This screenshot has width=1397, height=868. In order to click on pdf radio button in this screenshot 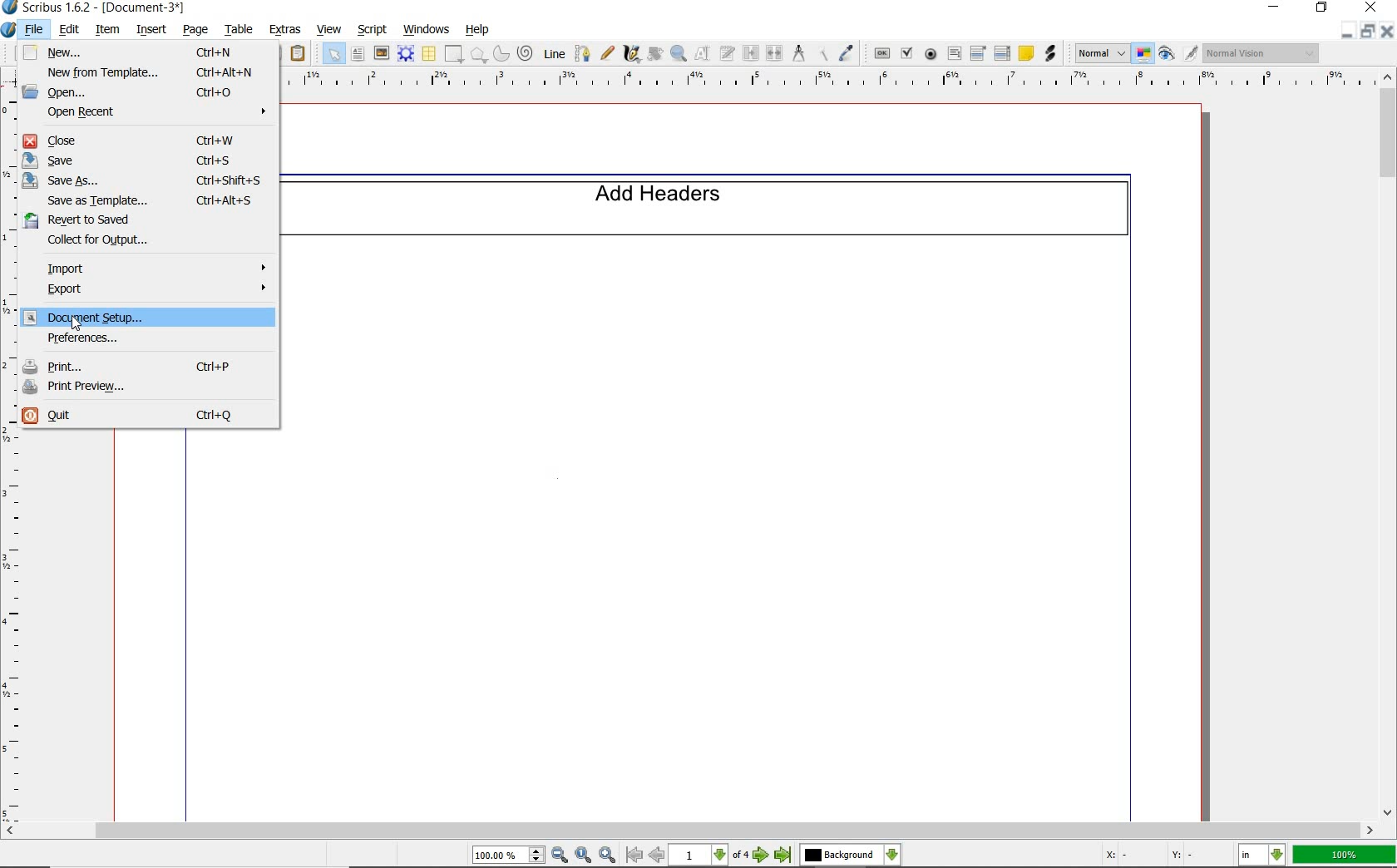, I will do `click(932, 54)`.